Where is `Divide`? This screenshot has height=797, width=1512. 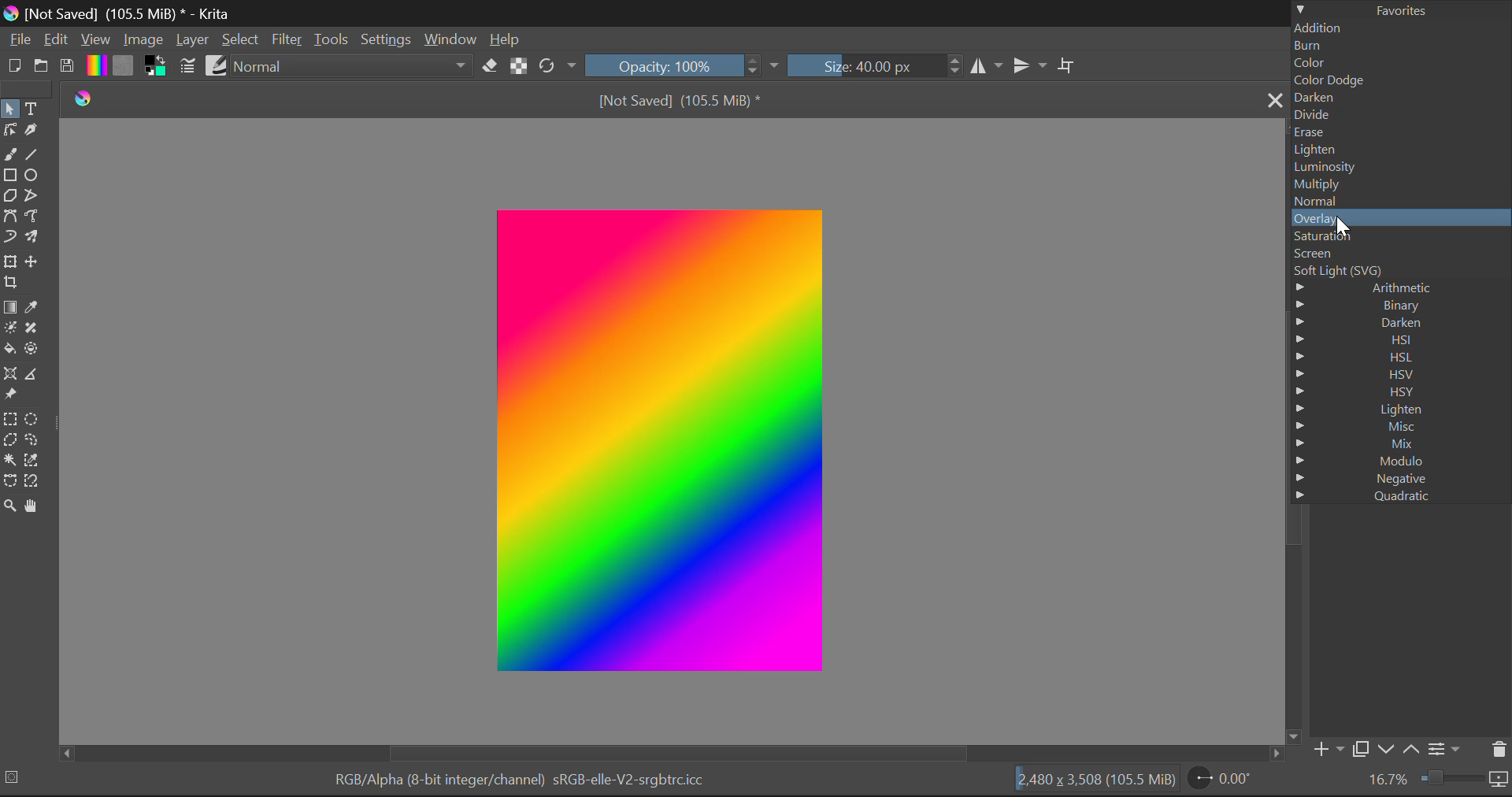
Divide is located at coordinates (1398, 116).